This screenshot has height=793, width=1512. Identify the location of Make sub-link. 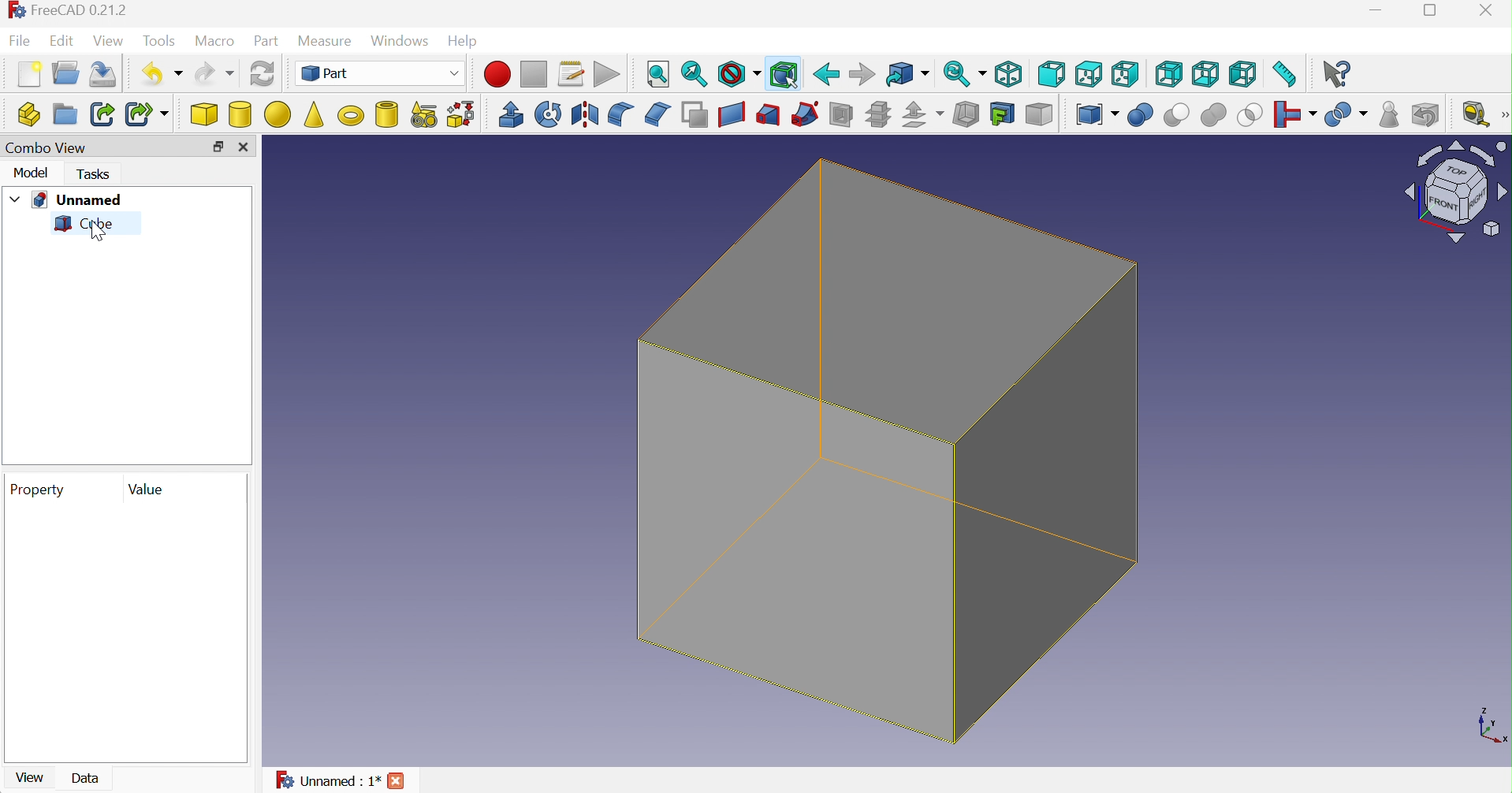
(146, 116).